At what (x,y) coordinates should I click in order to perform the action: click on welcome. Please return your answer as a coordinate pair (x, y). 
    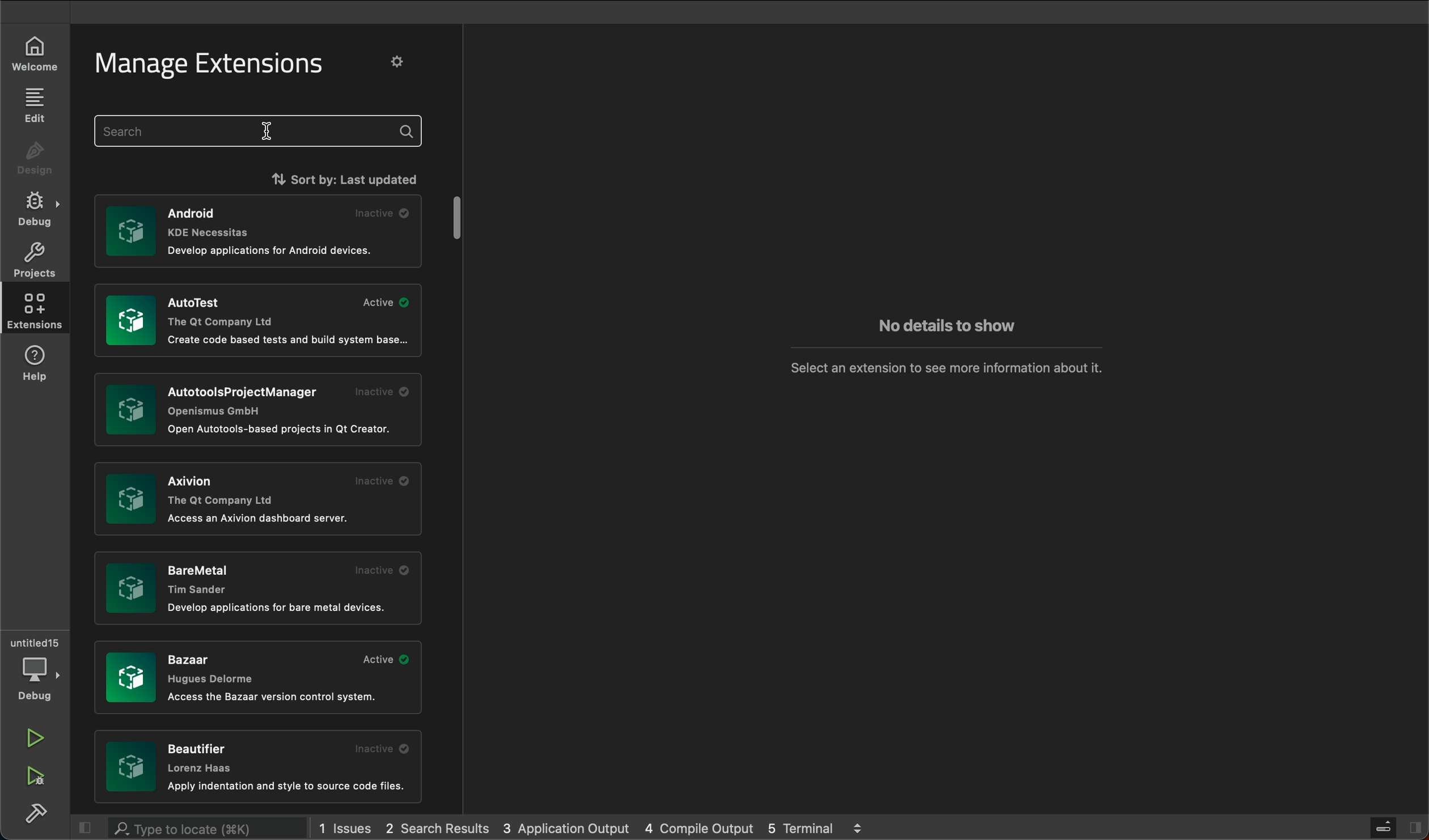
    Looking at the image, I should click on (30, 57).